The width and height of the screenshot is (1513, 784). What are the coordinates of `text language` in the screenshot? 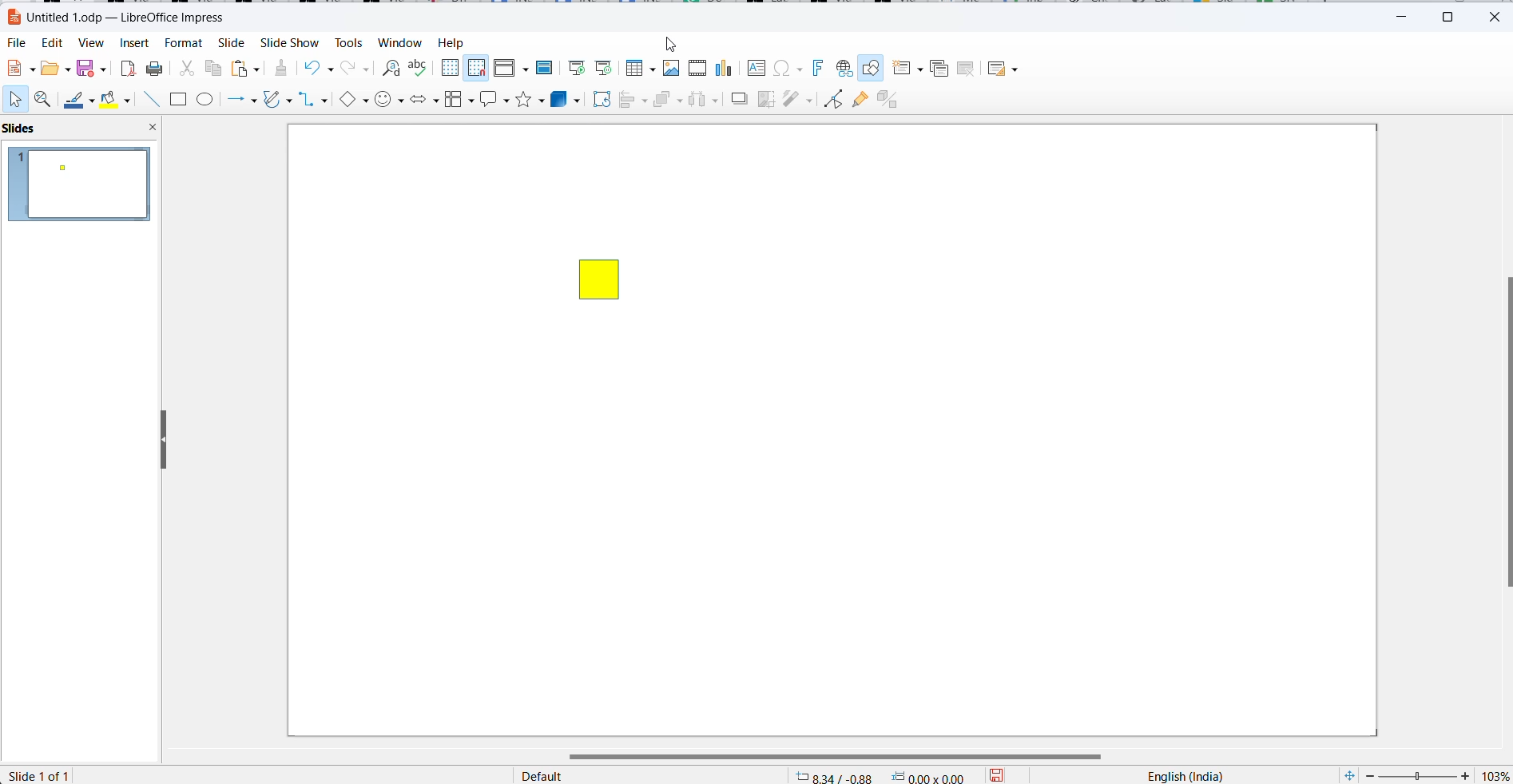 It's located at (1181, 774).